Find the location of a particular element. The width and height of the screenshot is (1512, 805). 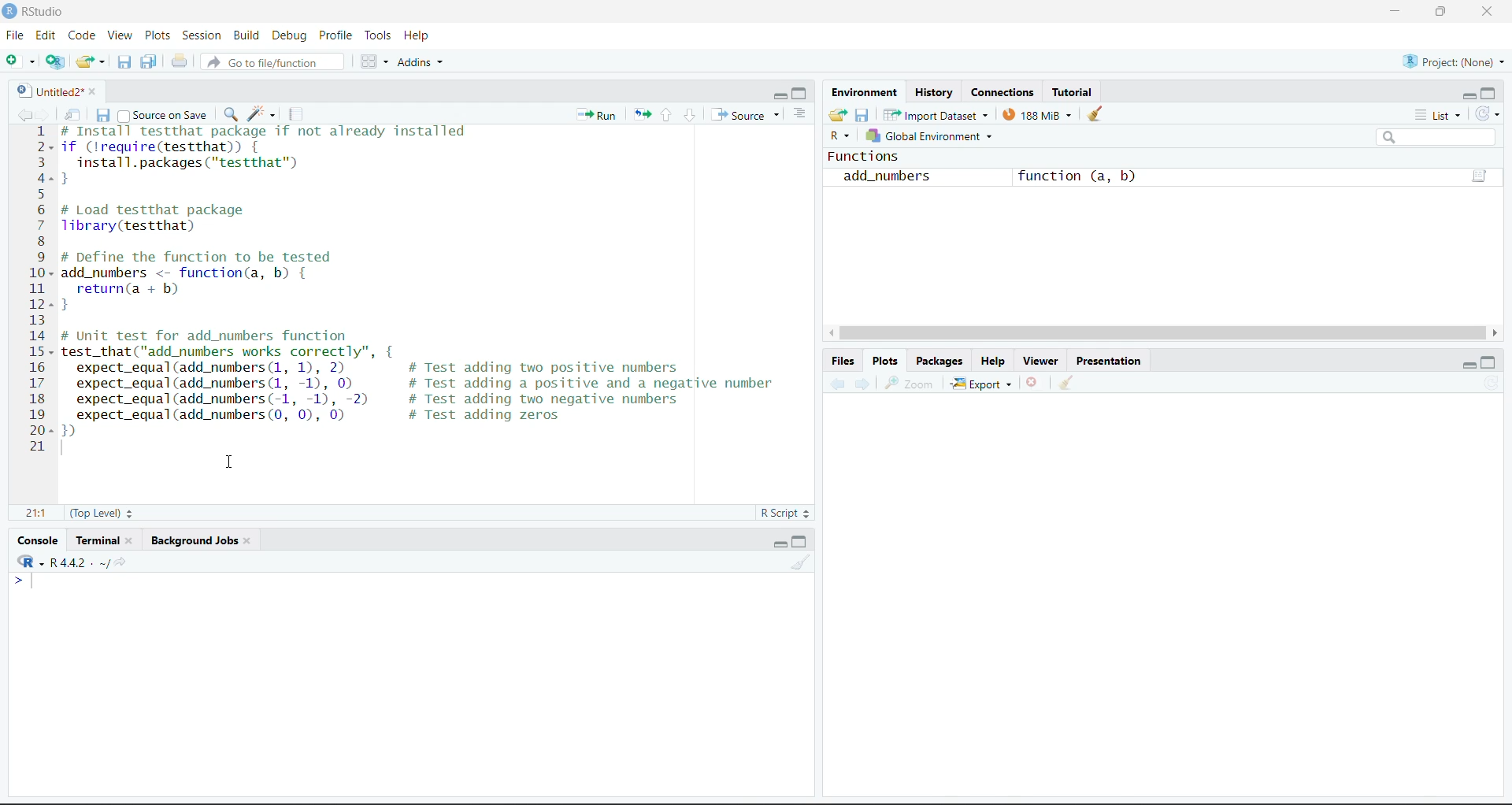

Global environment is located at coordinates (932, 135).